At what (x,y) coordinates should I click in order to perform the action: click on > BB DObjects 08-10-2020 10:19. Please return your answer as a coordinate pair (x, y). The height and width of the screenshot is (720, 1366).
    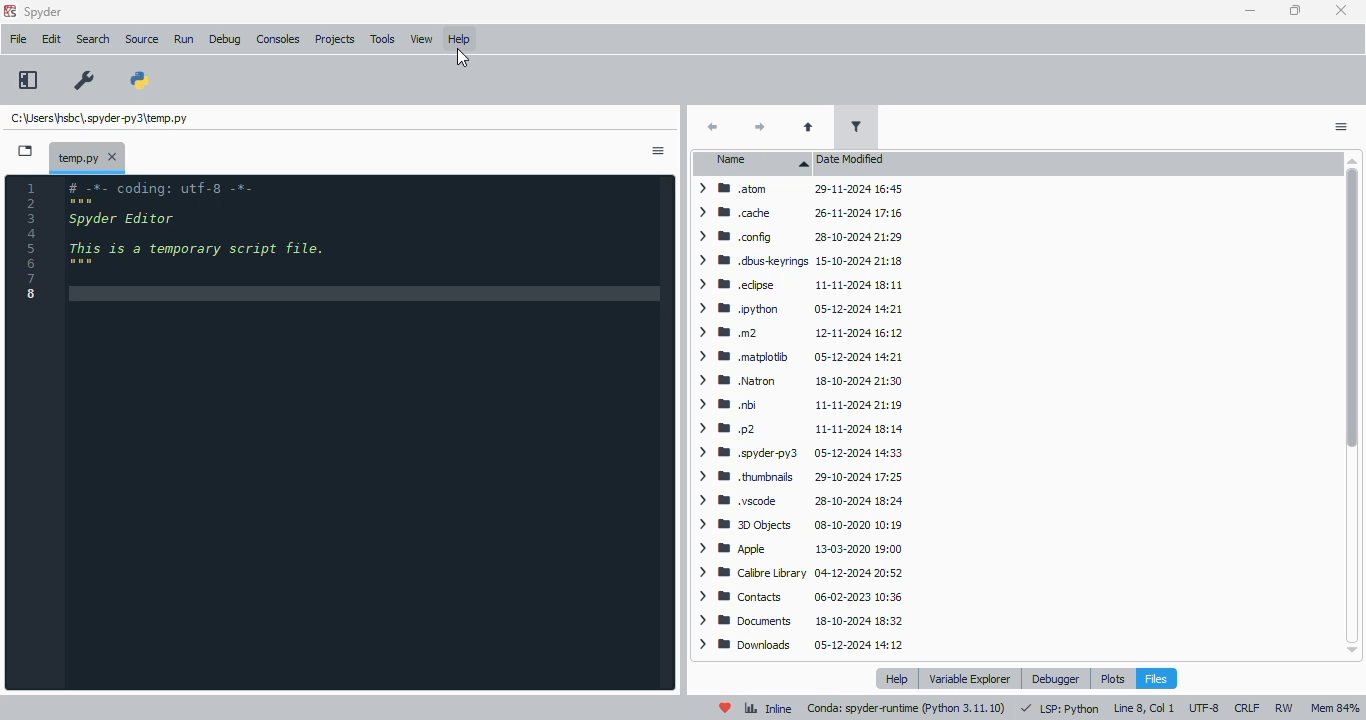
    Looking at the image, I should click on (798, 523).